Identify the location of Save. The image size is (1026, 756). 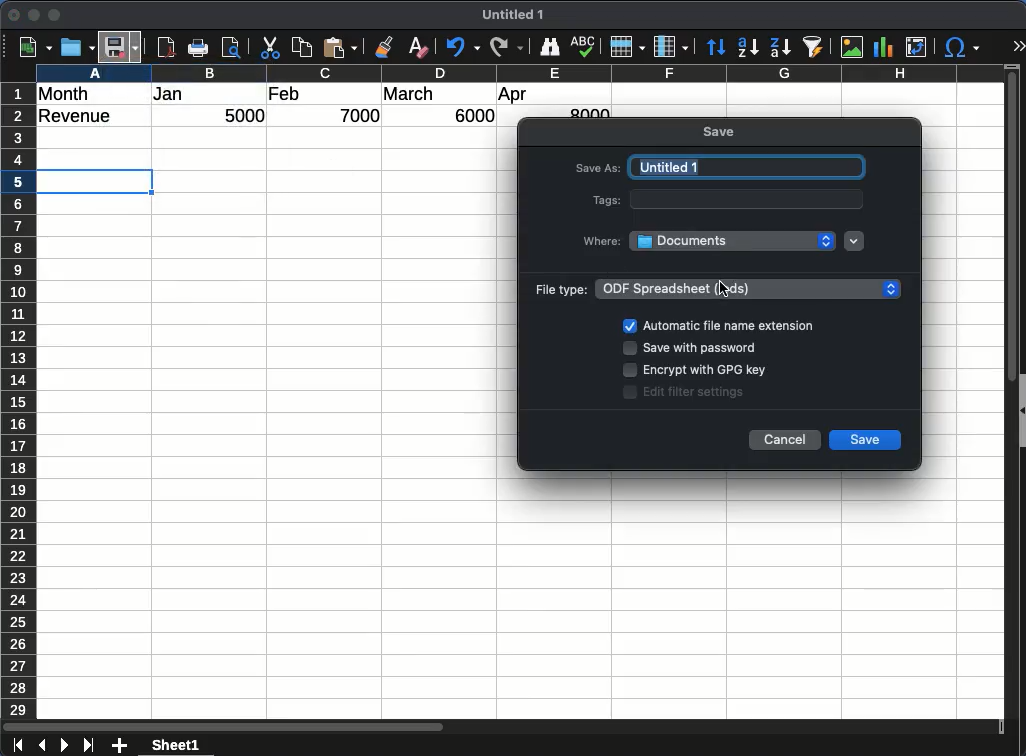
(123, 44).